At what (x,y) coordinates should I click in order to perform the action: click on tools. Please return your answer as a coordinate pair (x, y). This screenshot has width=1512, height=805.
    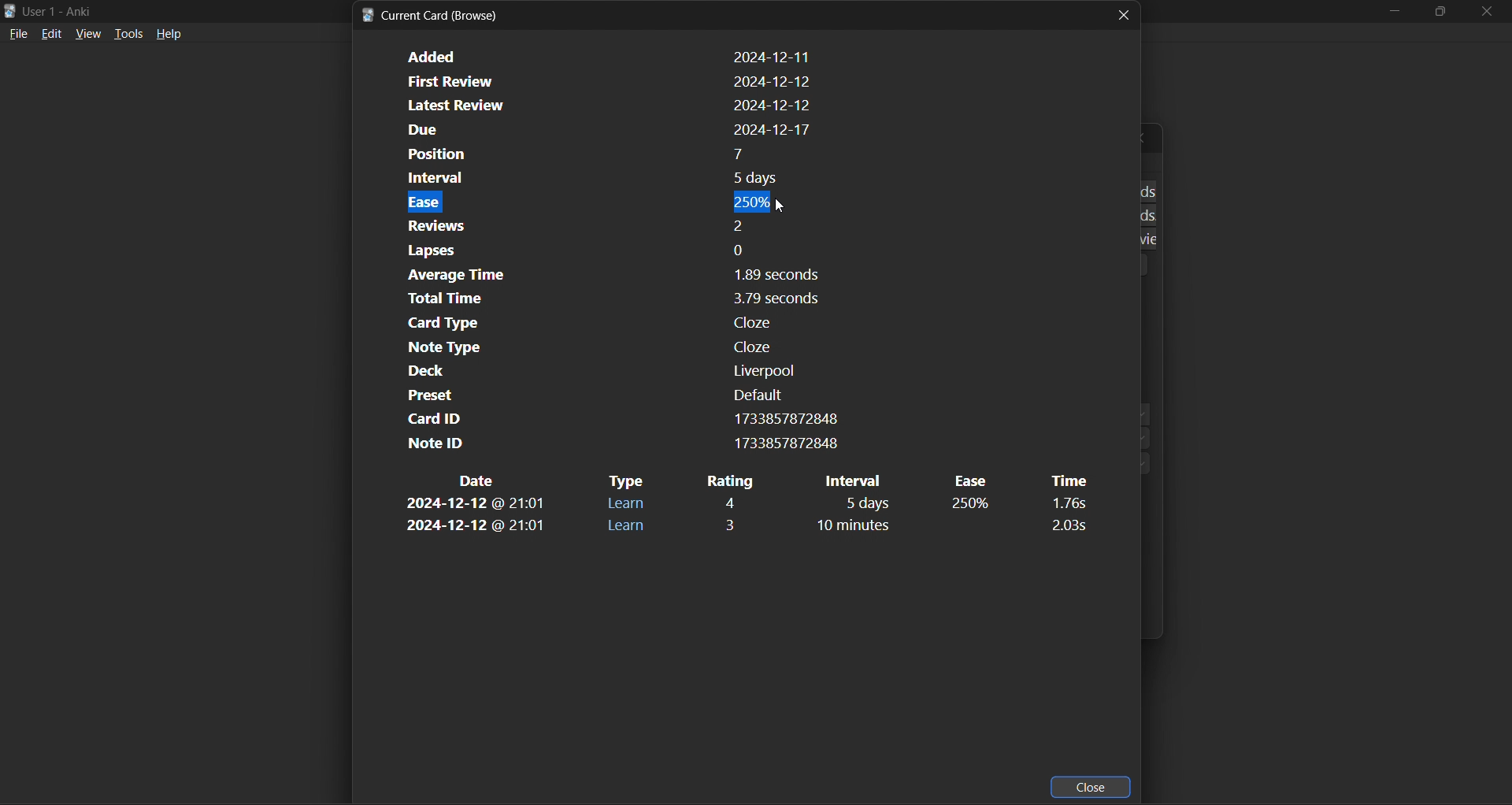
    Looking at the image, I should click on (128, 35).